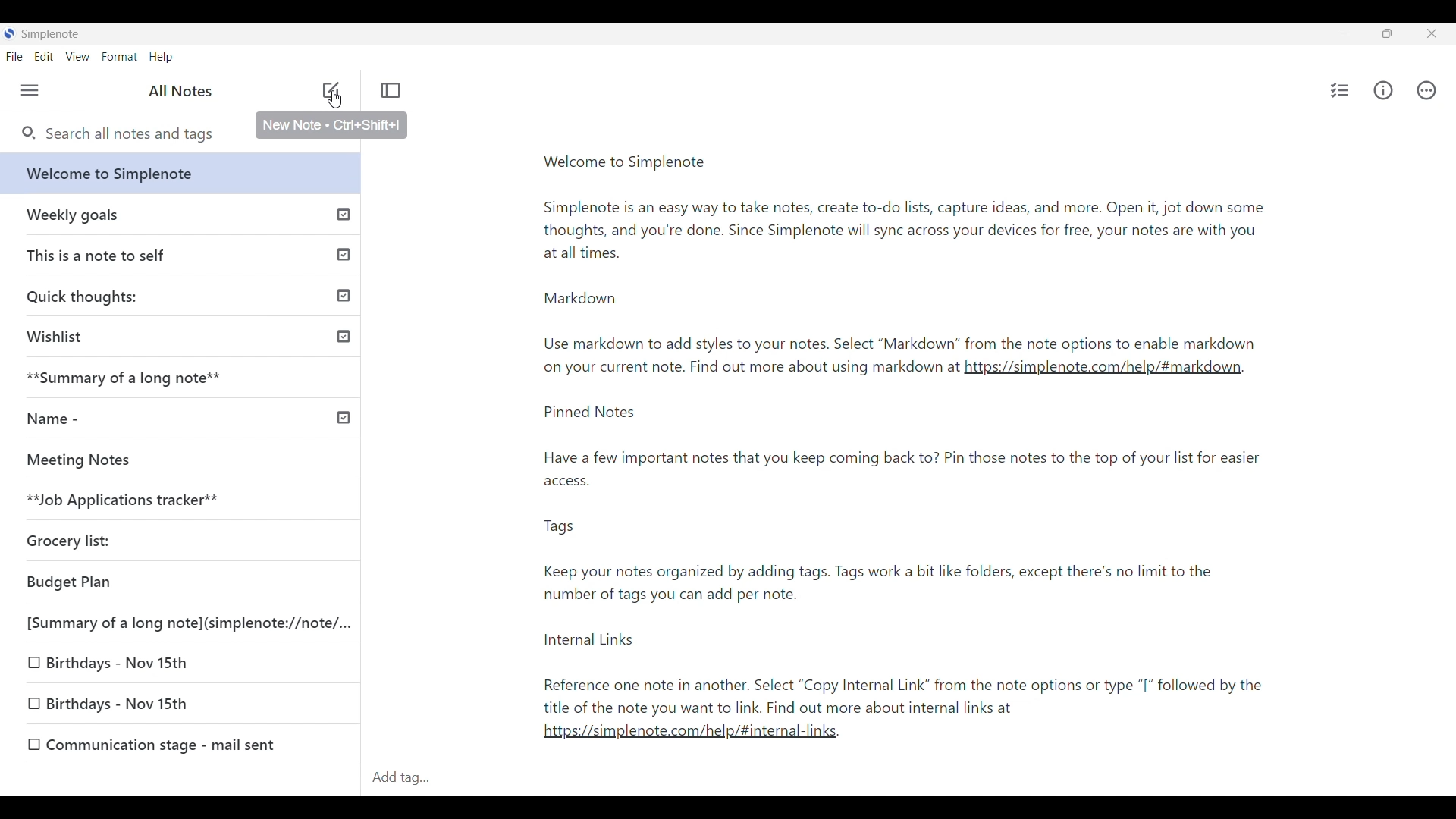 Image resolution: width=1456 pixels, height=819 pixels. Describe the element at coordinates (748, 366) in the screenshot. I see `text` at that location.